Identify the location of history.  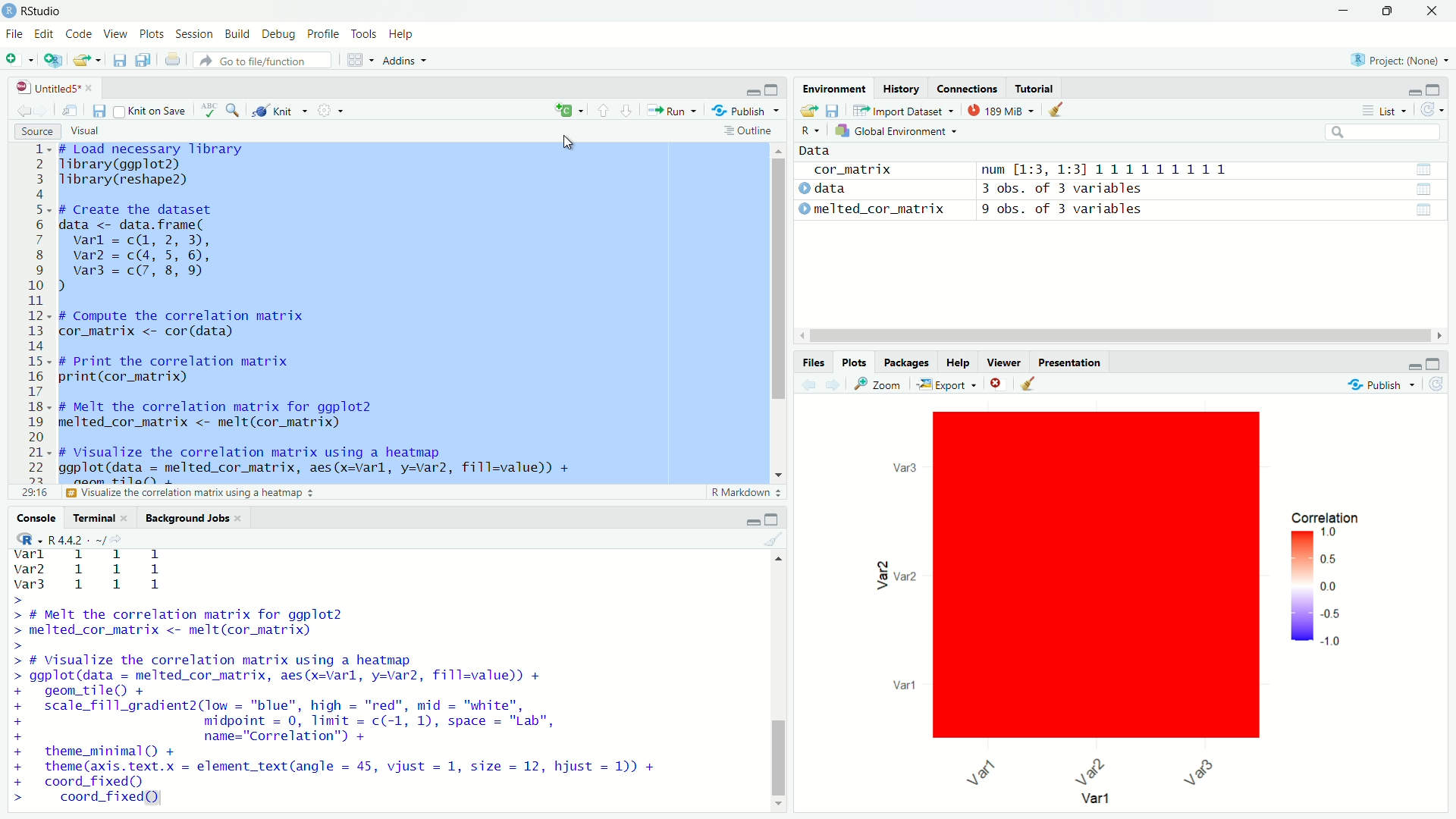
(903, 88).